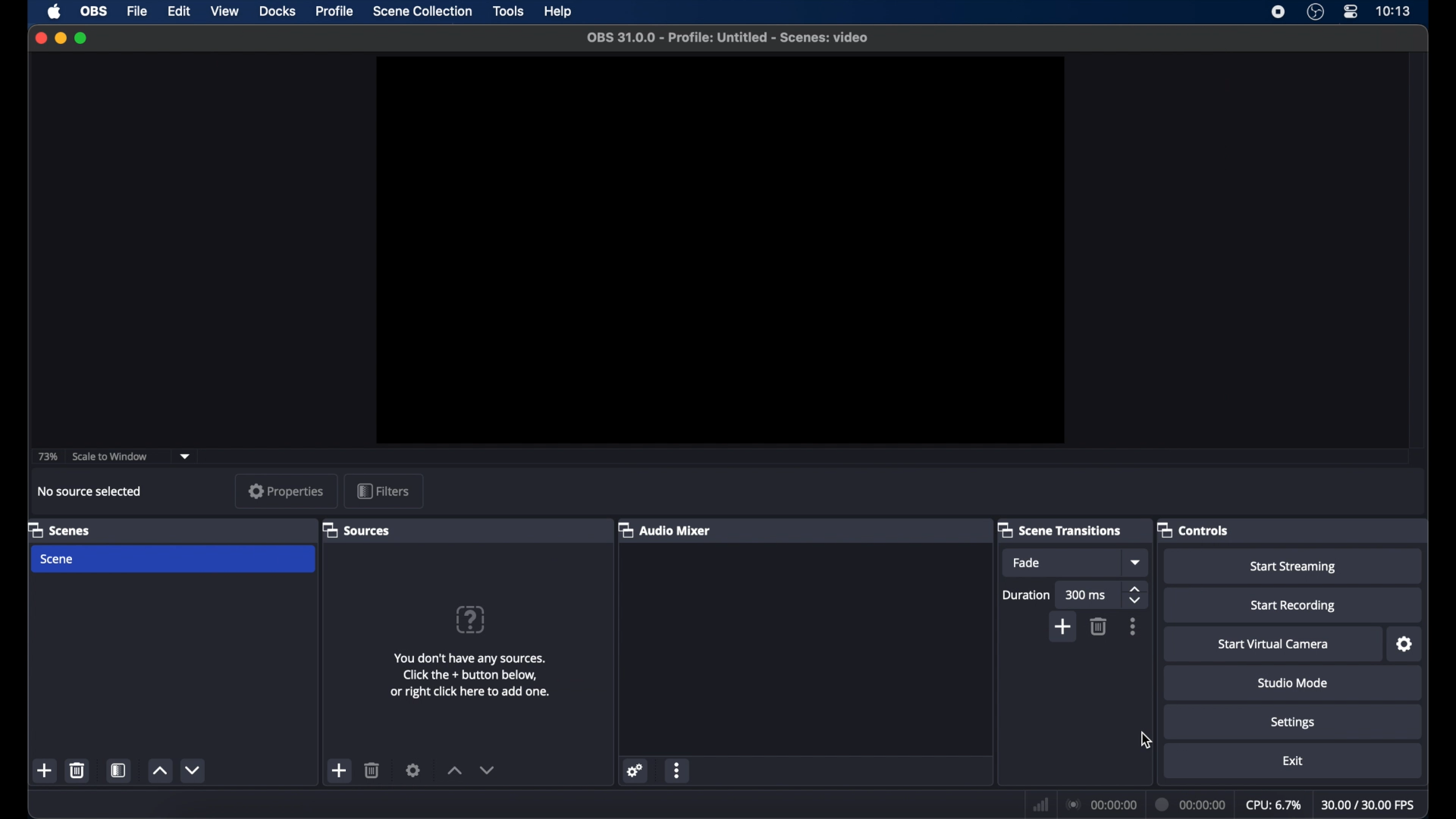 This screenshot has height=819, width=1456. I want to click on fade, so click(1027, 563).